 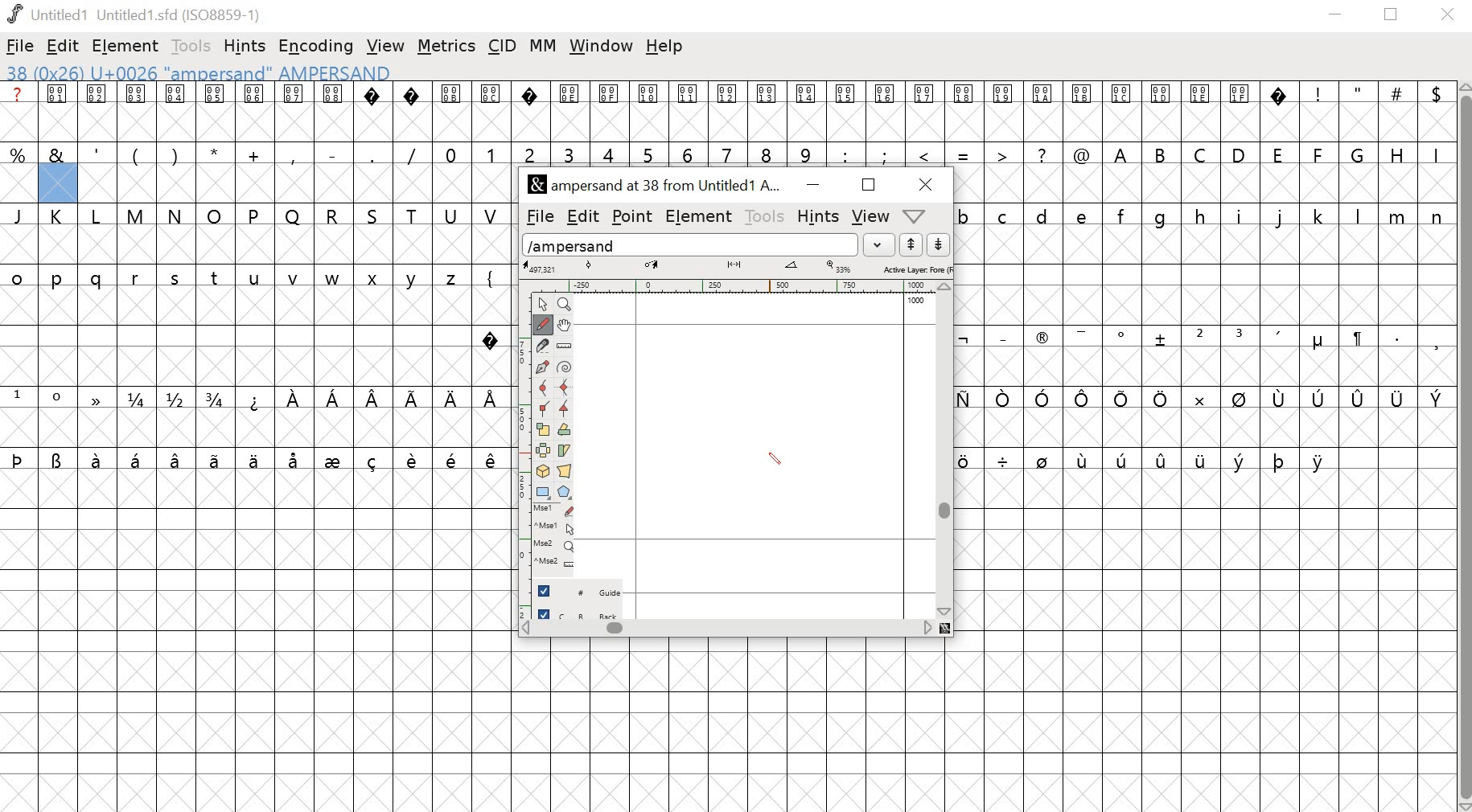 What do you see at coordinates (294, 279) in the screenshot?
I see `v` at bounding box center [294, 279].